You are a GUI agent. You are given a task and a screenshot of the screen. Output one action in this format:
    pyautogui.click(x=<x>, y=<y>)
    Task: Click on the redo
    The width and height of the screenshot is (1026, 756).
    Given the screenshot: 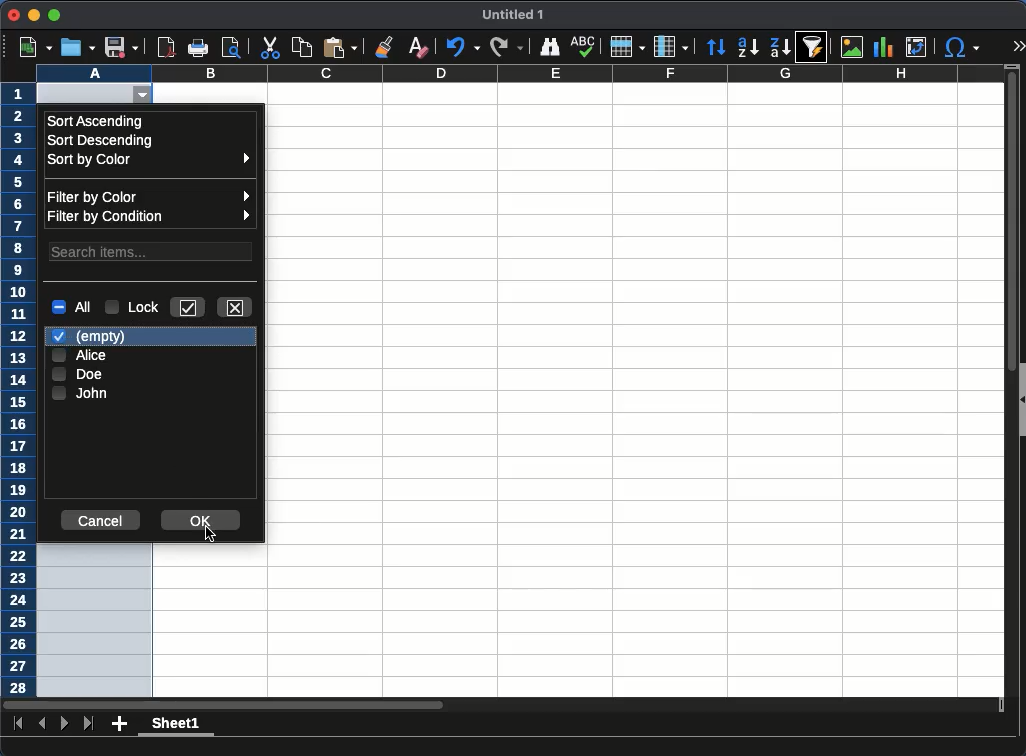 What is the action you would take?
    pyautogui.click(x=505, y=48)
    